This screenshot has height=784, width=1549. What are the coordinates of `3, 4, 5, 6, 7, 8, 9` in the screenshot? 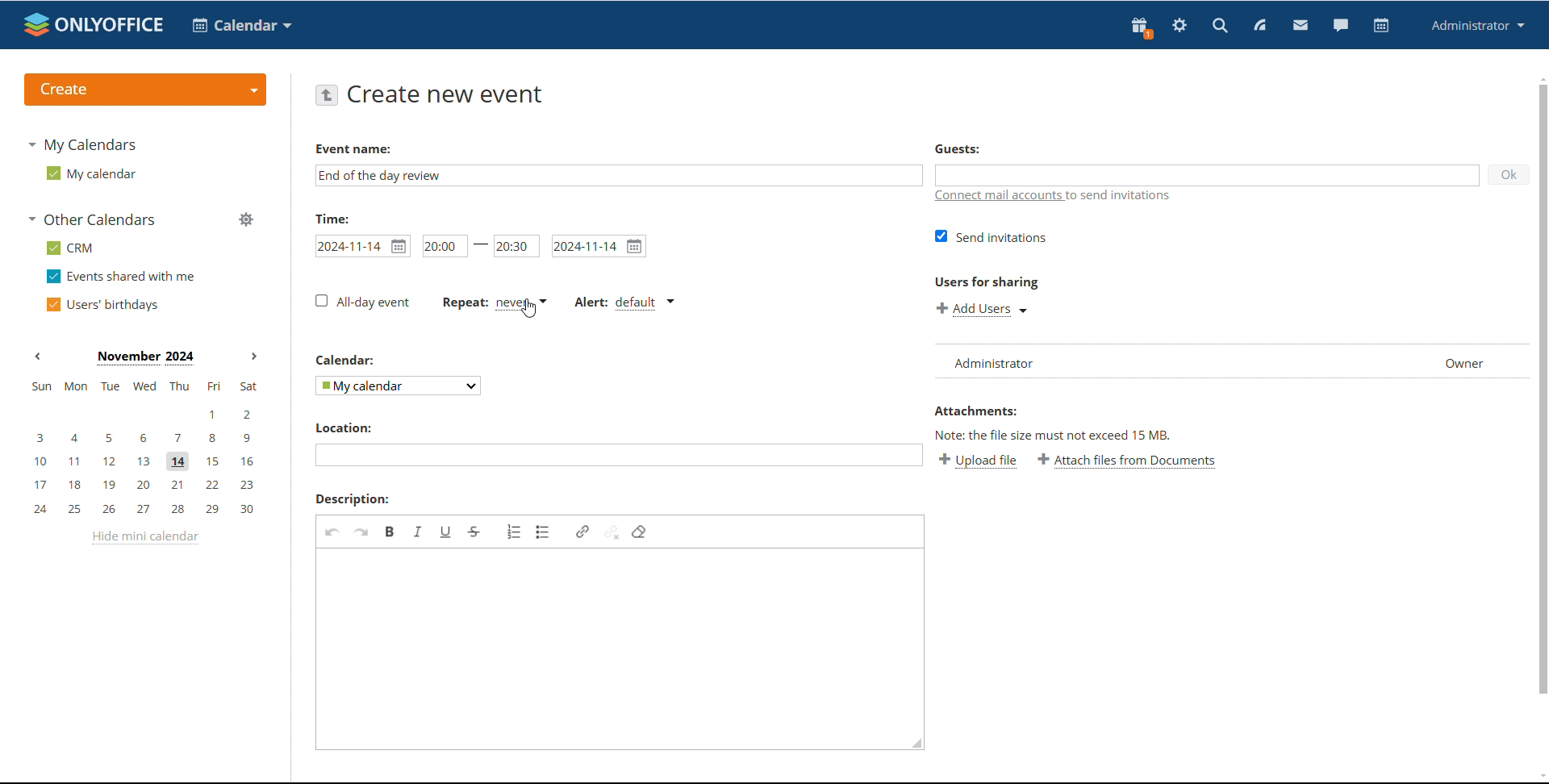 It's located at (144, 436).